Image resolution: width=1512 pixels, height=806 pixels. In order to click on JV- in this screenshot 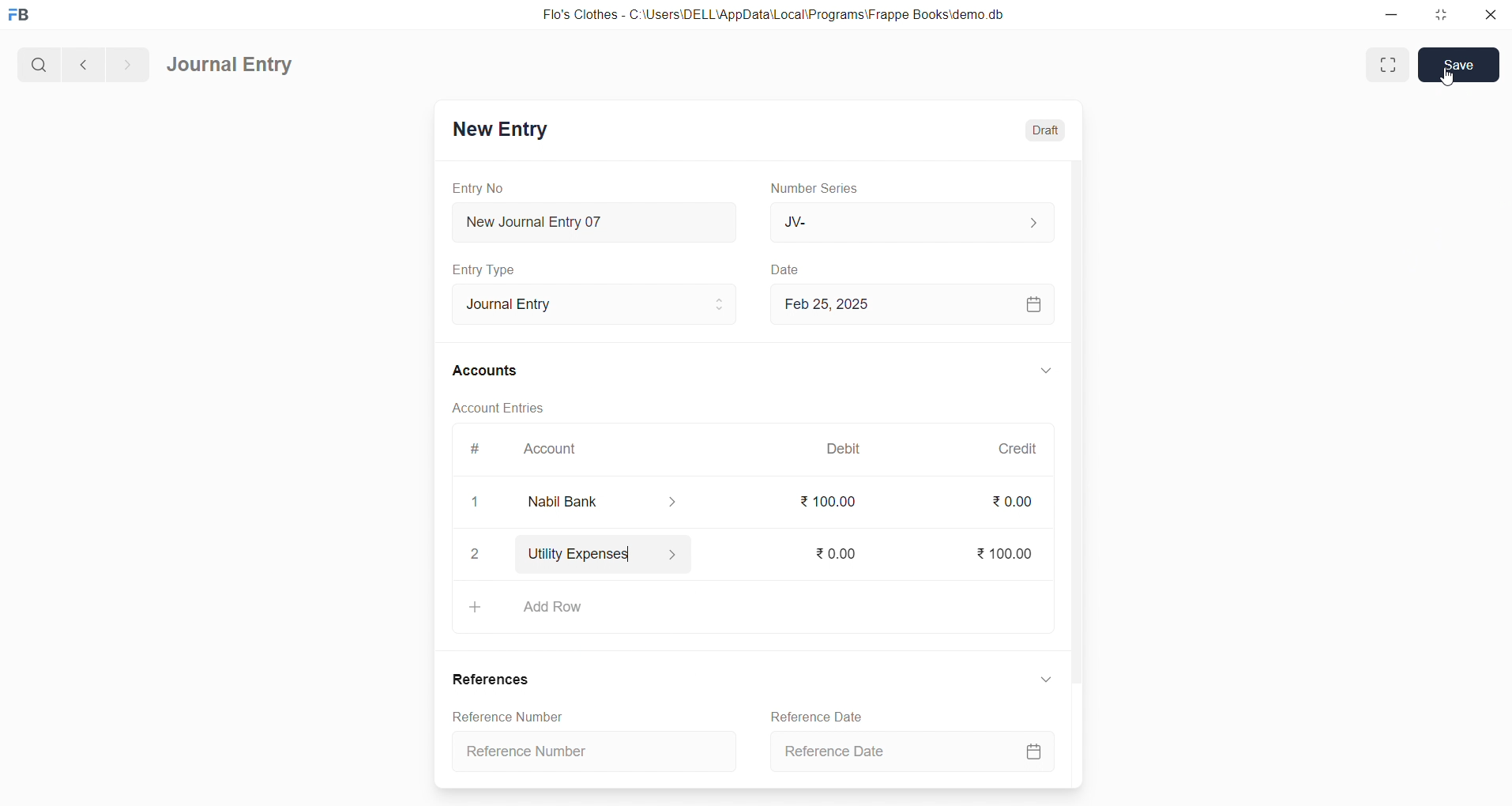, I will do `click(910, 223)`.